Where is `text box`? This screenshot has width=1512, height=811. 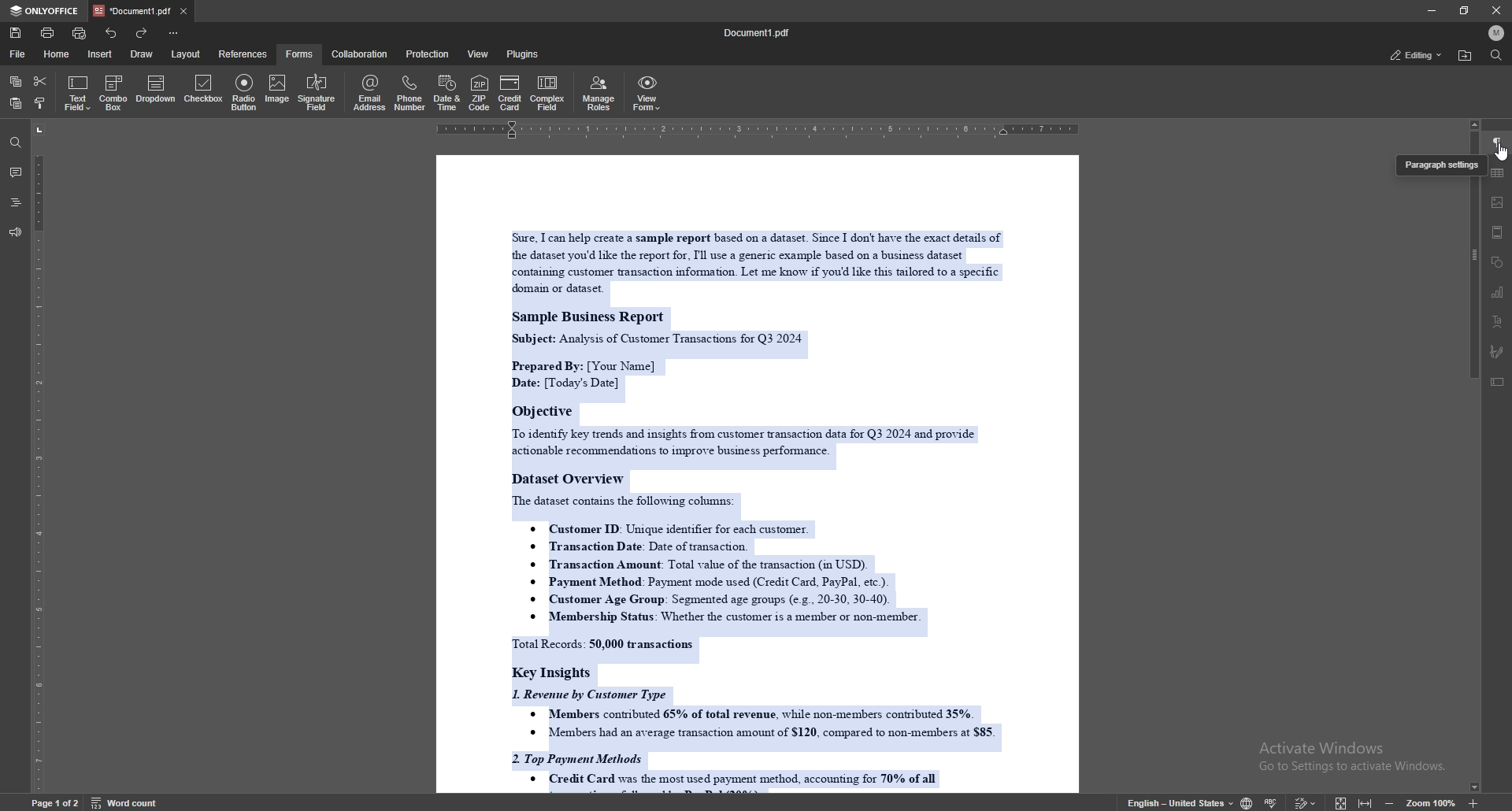 text box is located at coordinates (1499, 382).